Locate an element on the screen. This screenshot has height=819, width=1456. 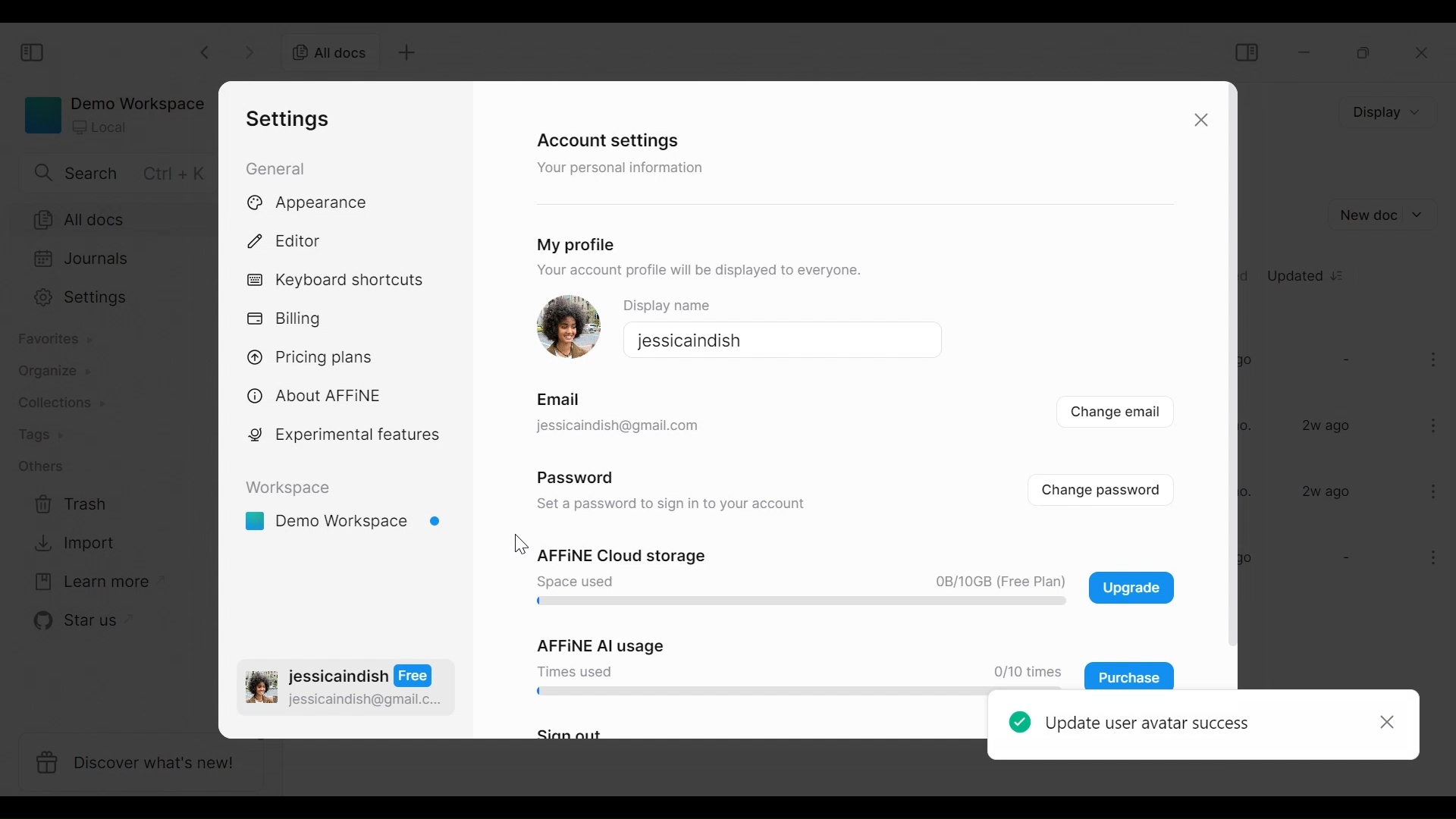
Account settings is located at coordinates (605, 139).